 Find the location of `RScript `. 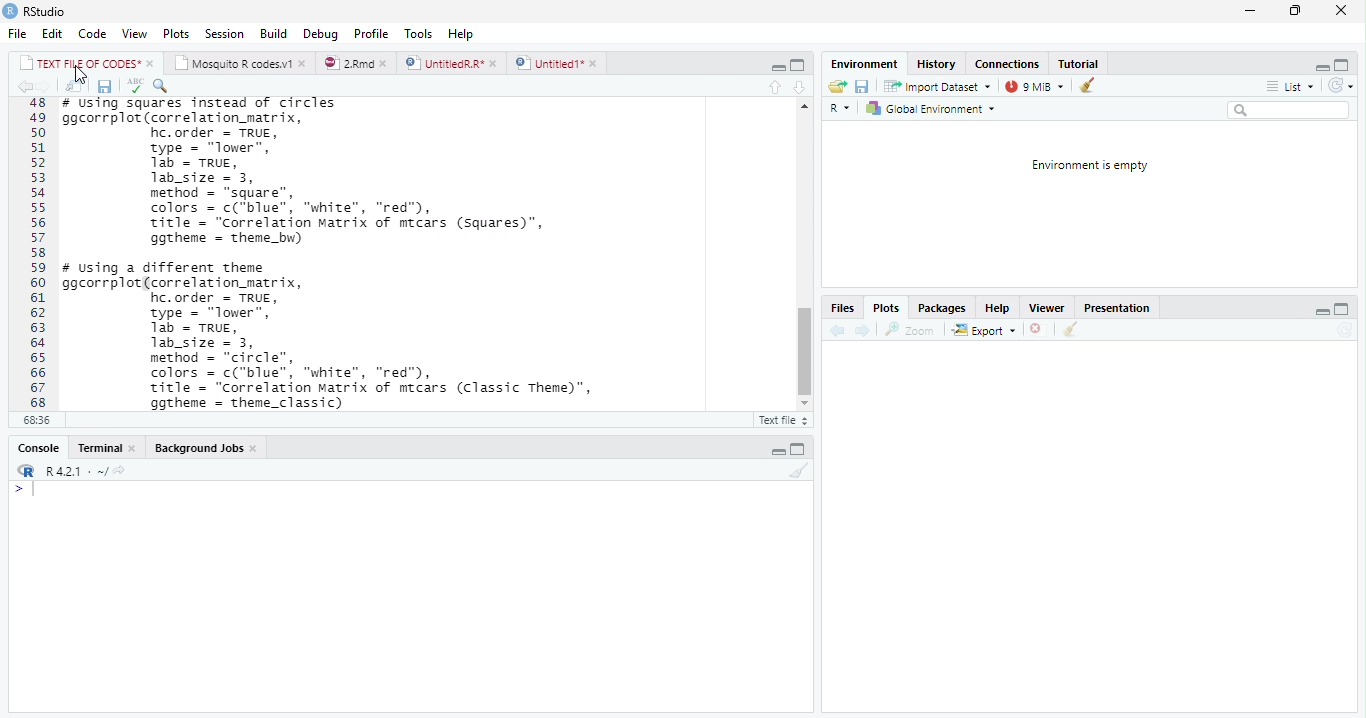

RScript  is located at coordinates (781, 421).